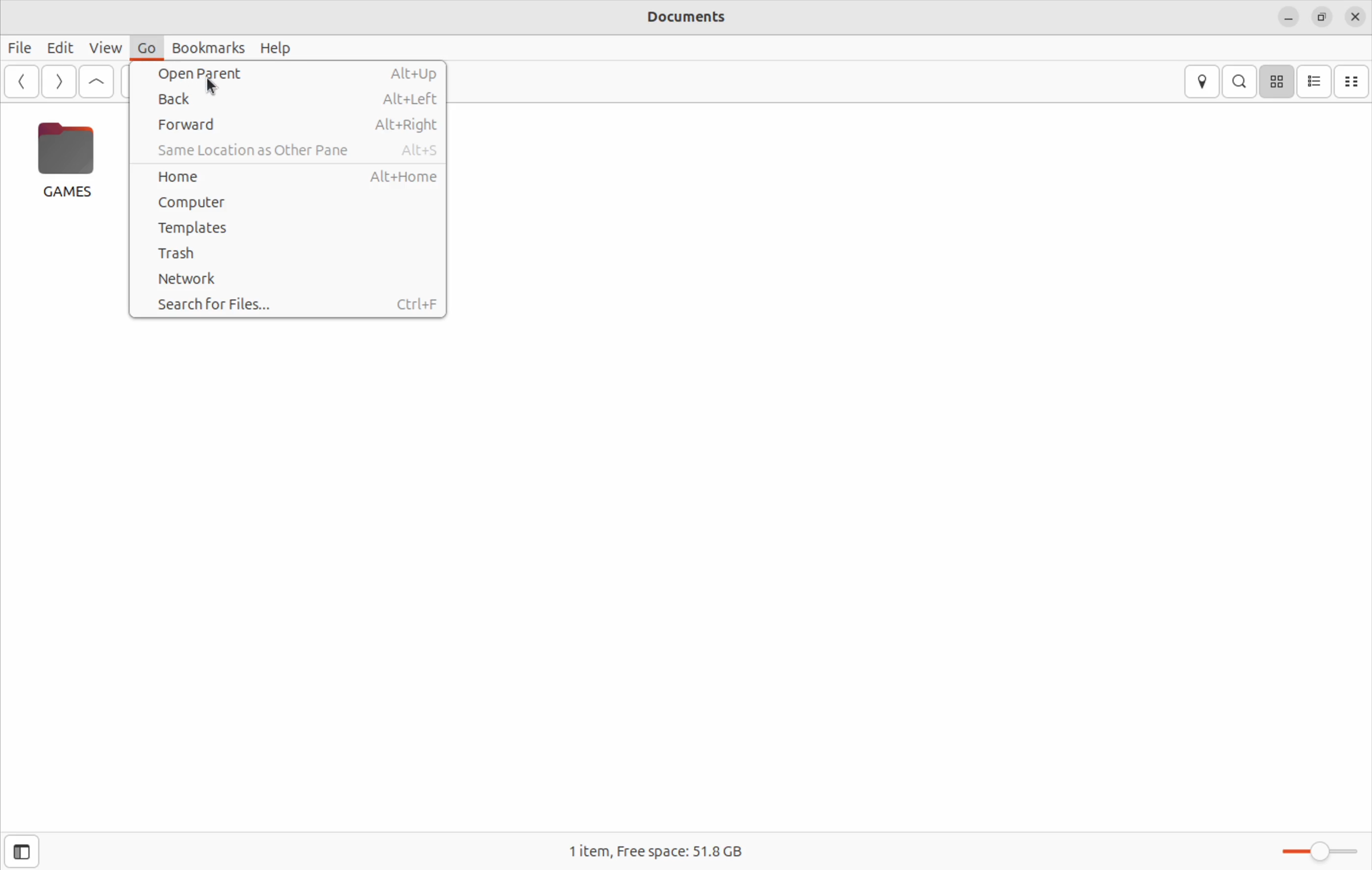  Describe the element at coordinates (284, 205) in the screenshot. I see `computer` at that location.